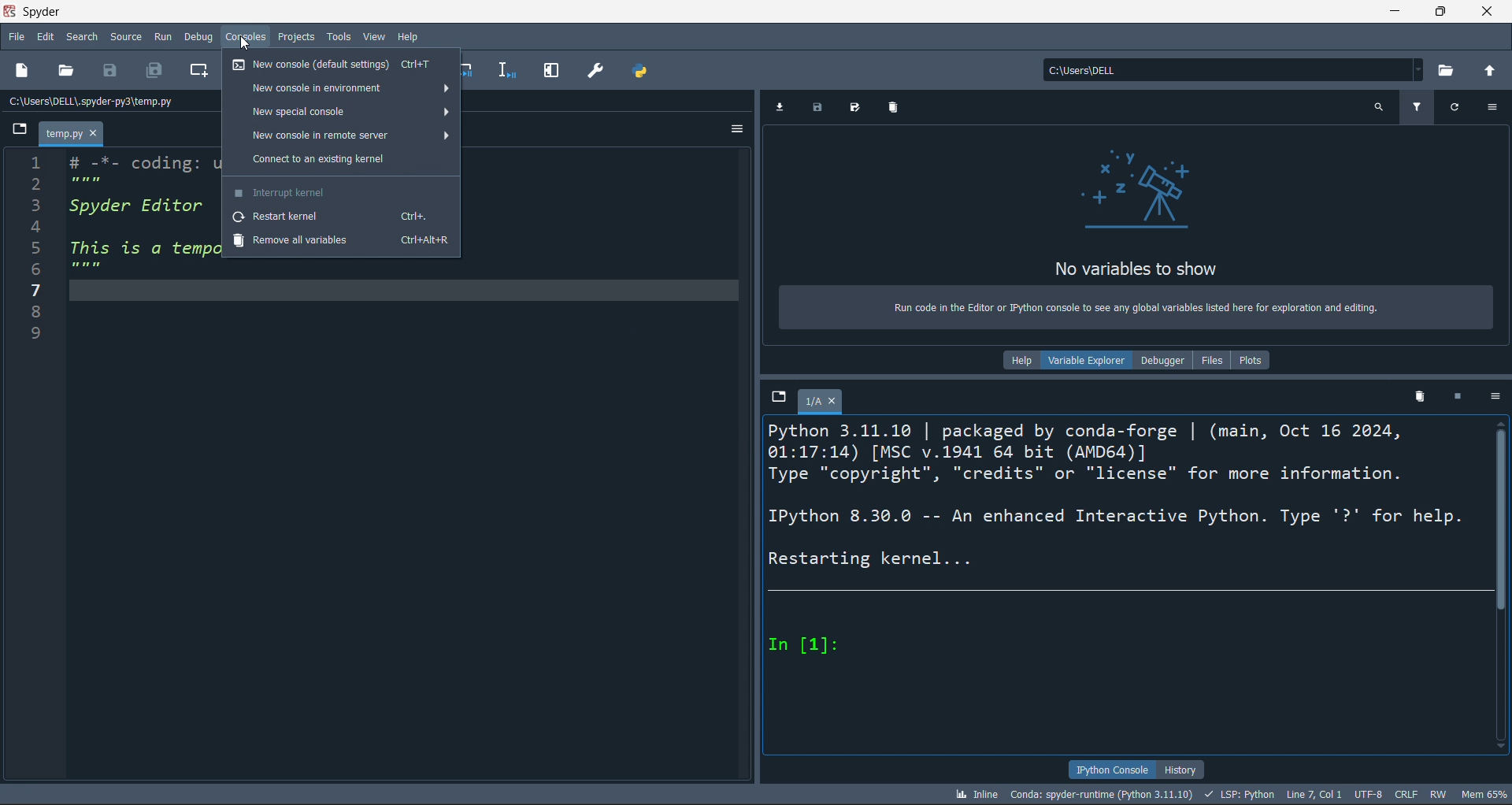 Image resolution: width=1512 pixels, height=805 pixels. Describe the element at coordinates (339, 109) in the screenshot. I see `new special console` at that location.